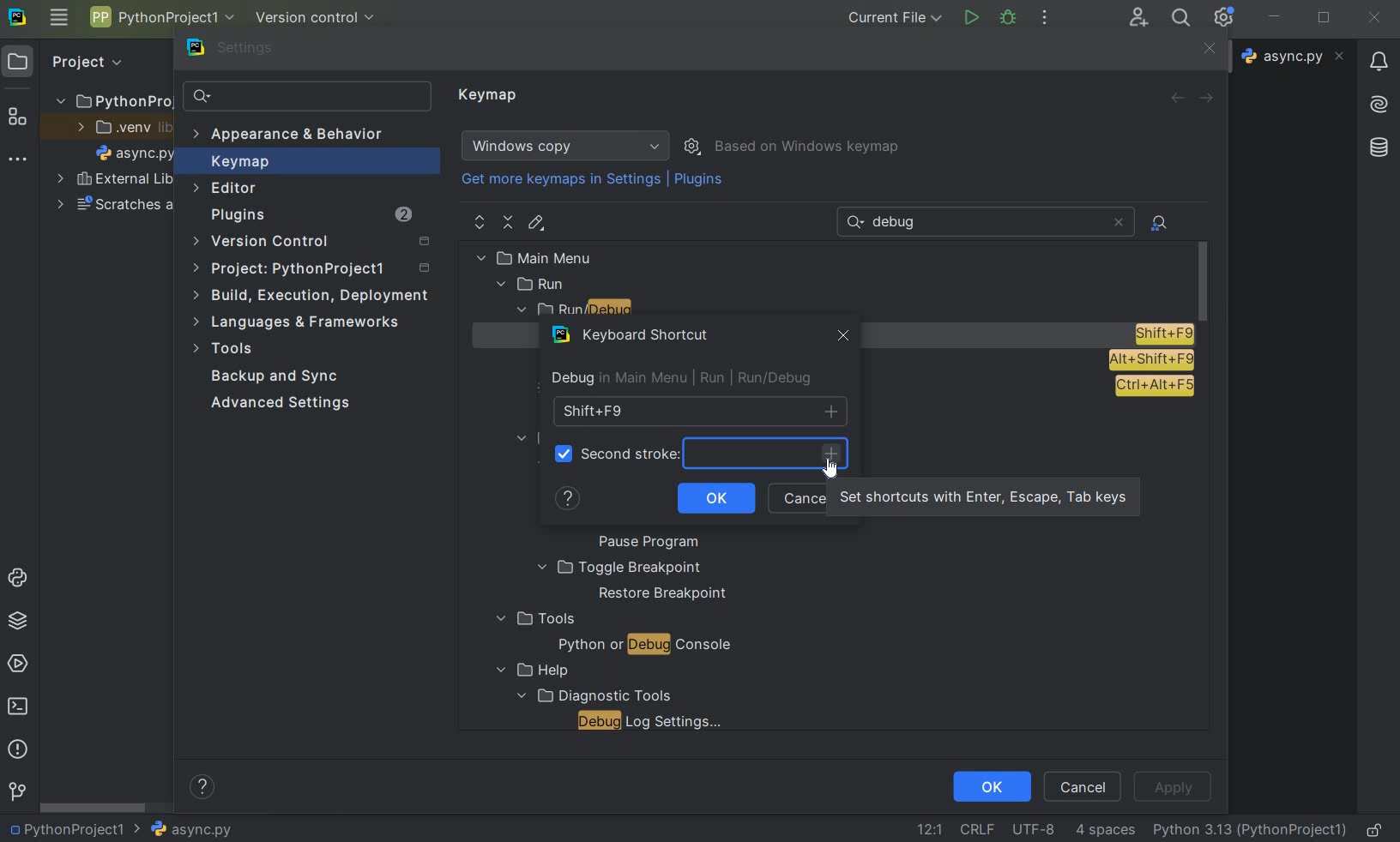  Describe the element at coordinates (1295, 56) in the screenshot. I see `file name` at that location.